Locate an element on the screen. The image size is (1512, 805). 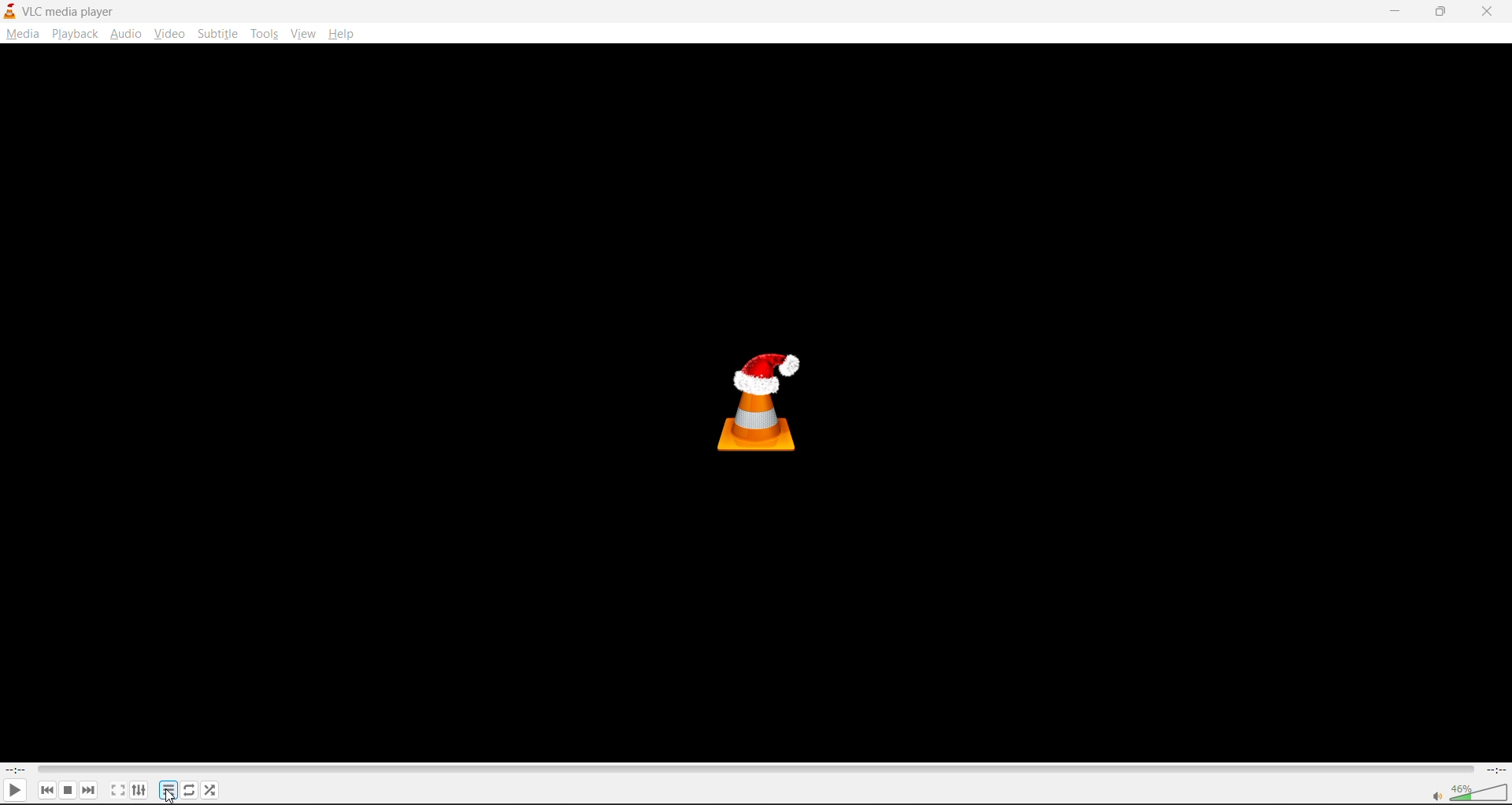
total track time is located at coordinates (1495, 772).